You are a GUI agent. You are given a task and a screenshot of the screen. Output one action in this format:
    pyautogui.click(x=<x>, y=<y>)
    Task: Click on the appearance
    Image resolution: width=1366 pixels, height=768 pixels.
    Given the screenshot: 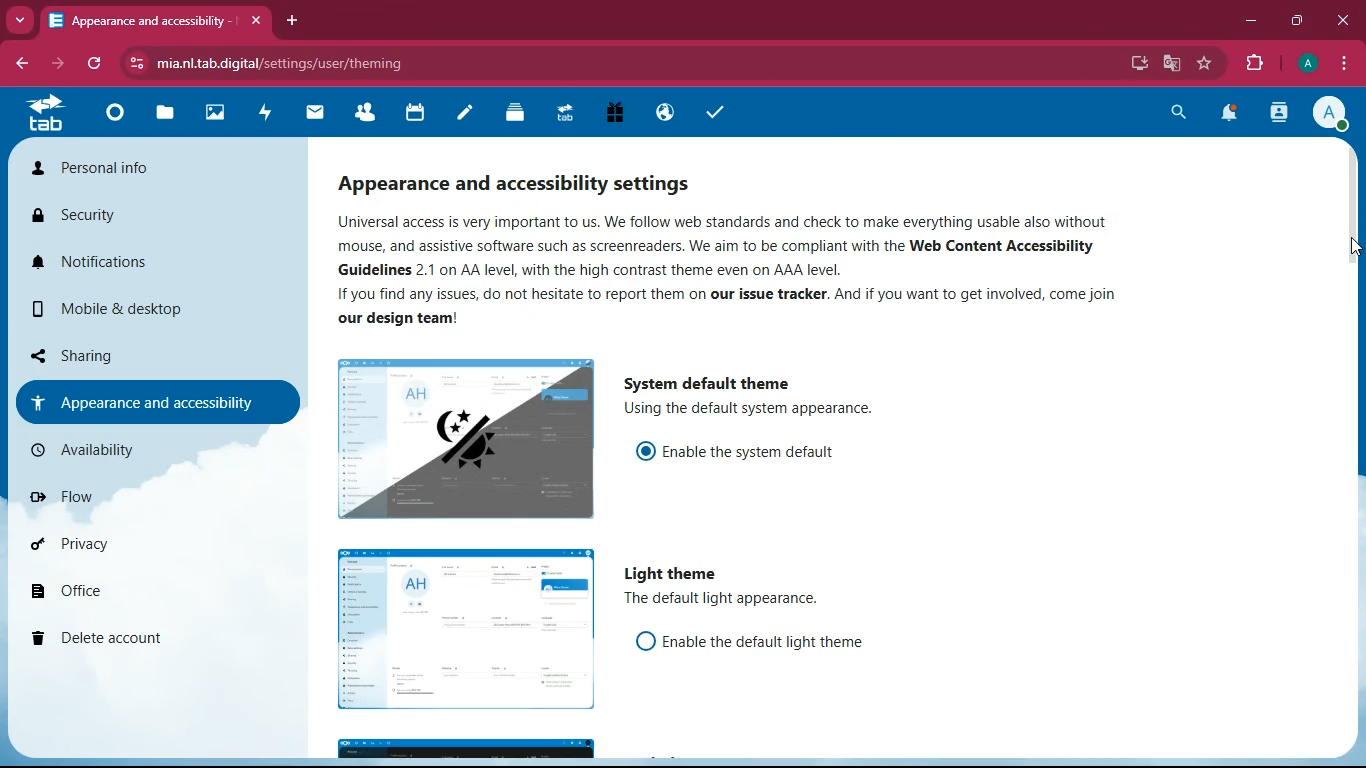 What is the action you would take?
    pyautogui.click(x=534, y=177)
    